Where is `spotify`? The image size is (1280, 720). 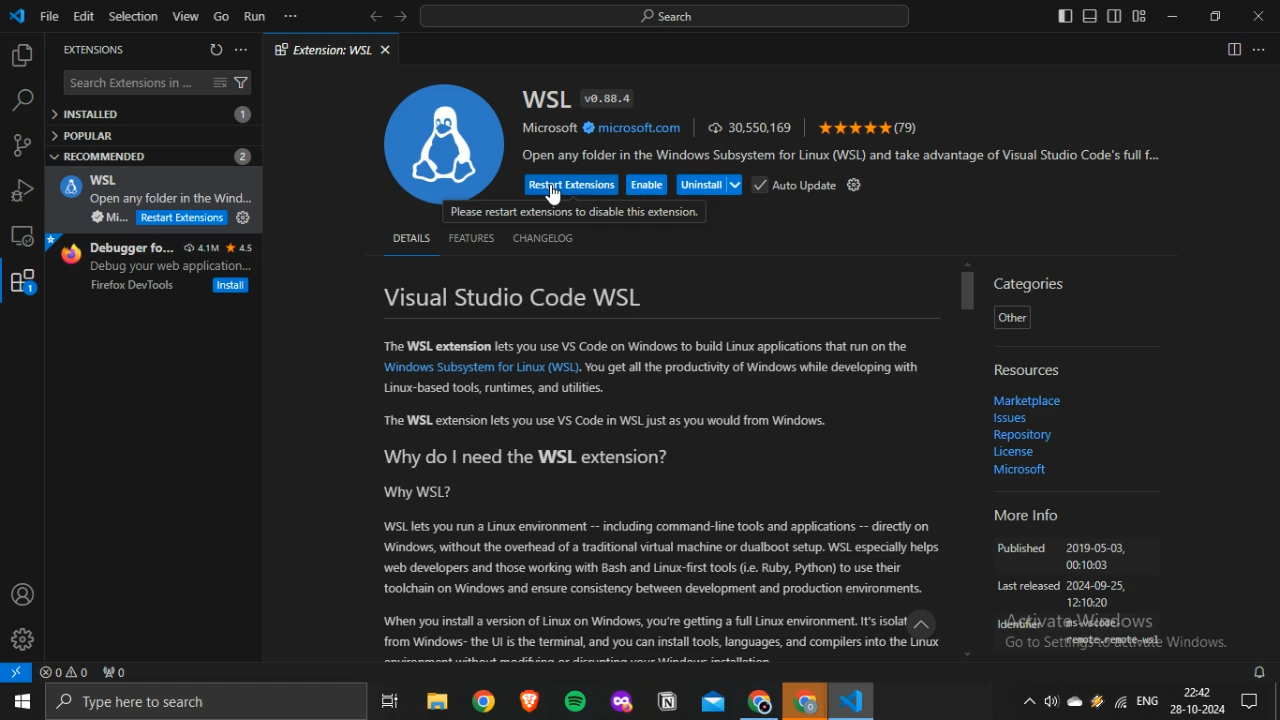 spotify is located at coordinates (576, 701).